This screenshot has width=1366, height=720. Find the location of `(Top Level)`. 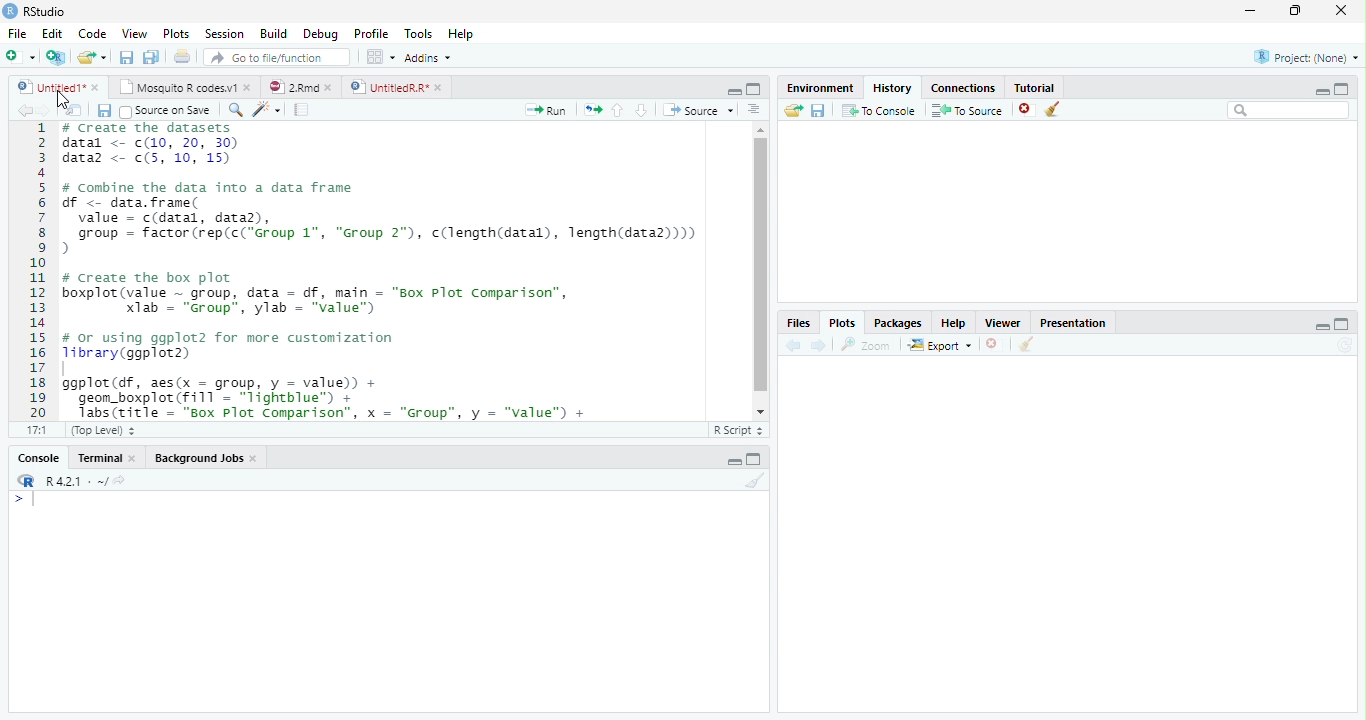

(Top Level) is located at coordinates (101, 431).